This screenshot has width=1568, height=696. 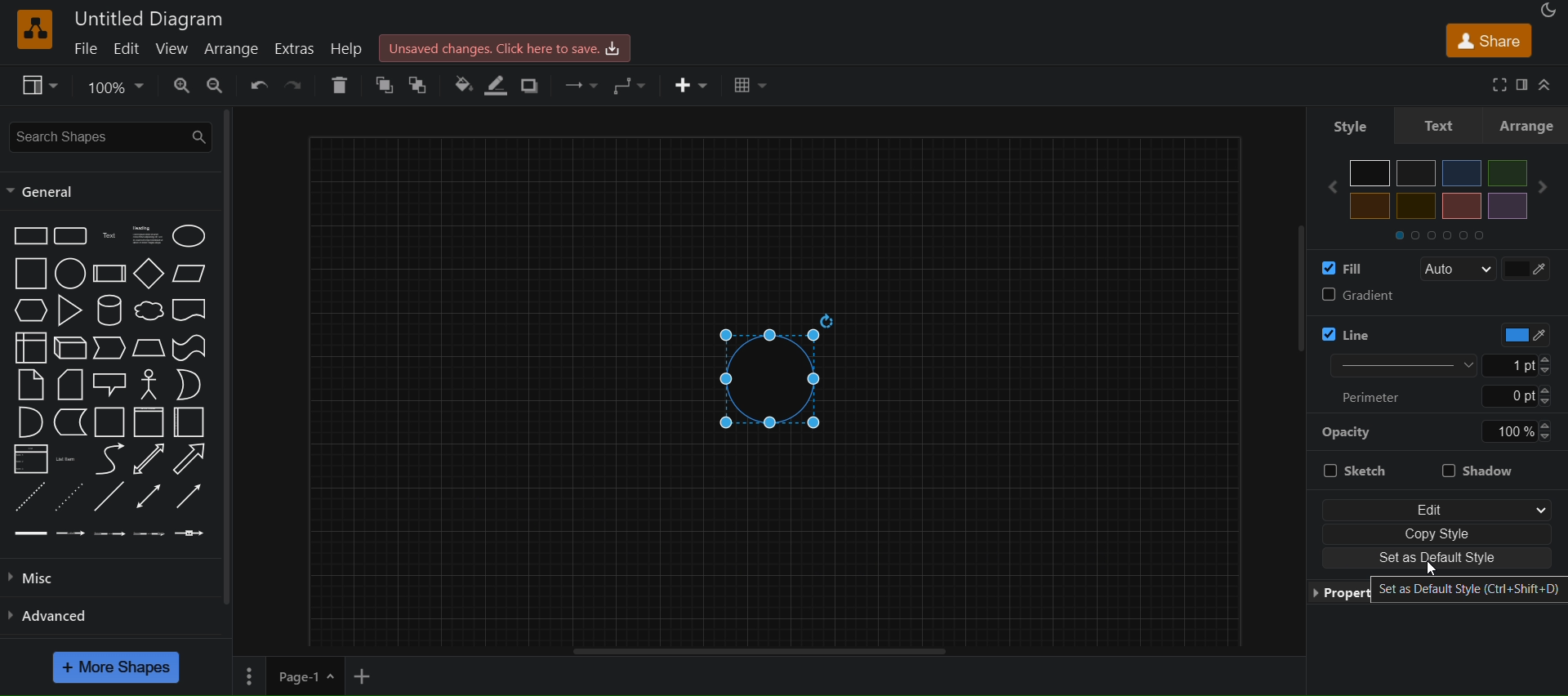 I want to click on and, so click(x=29, y=424).